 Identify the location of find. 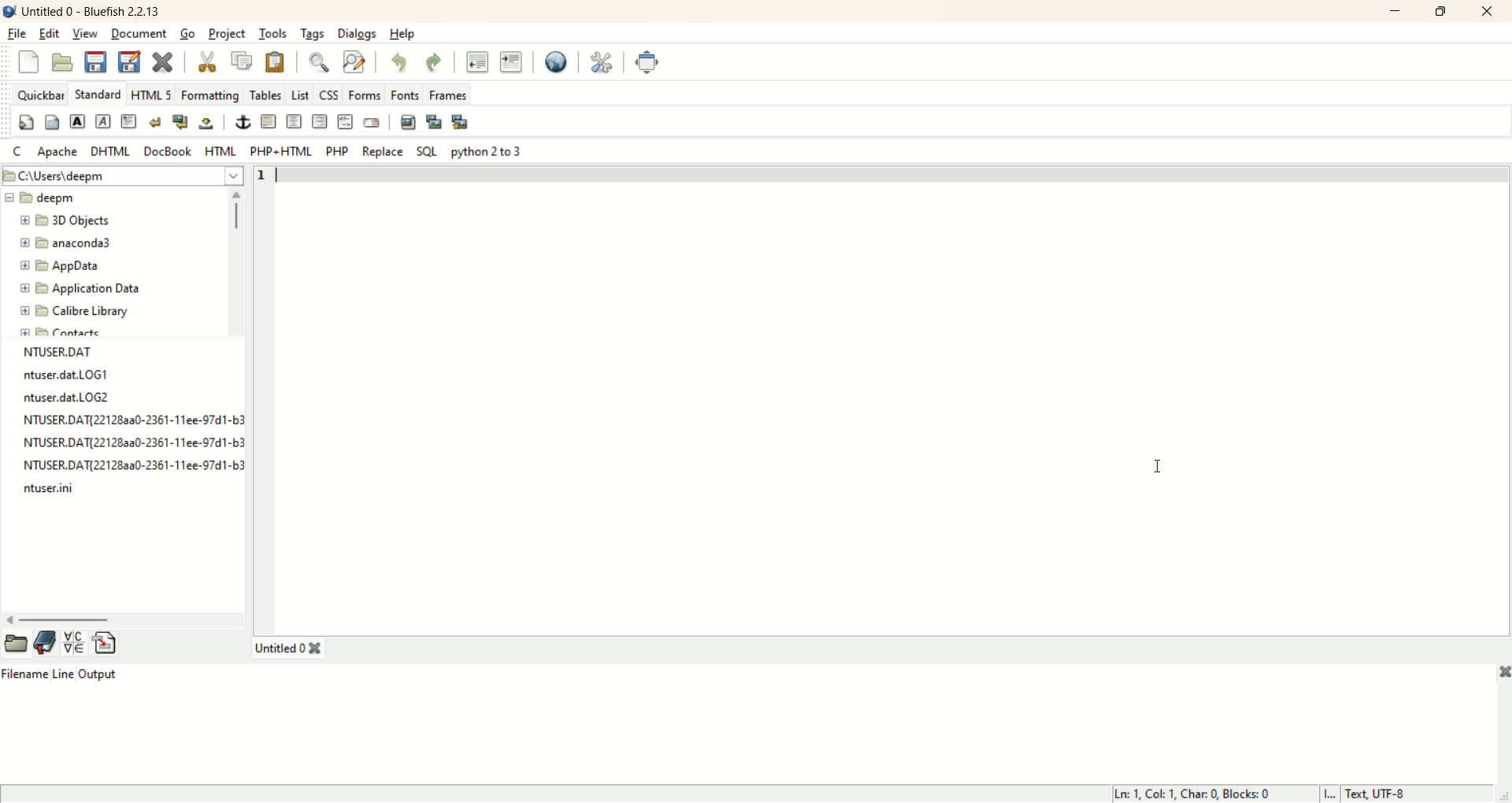
(314, 64).